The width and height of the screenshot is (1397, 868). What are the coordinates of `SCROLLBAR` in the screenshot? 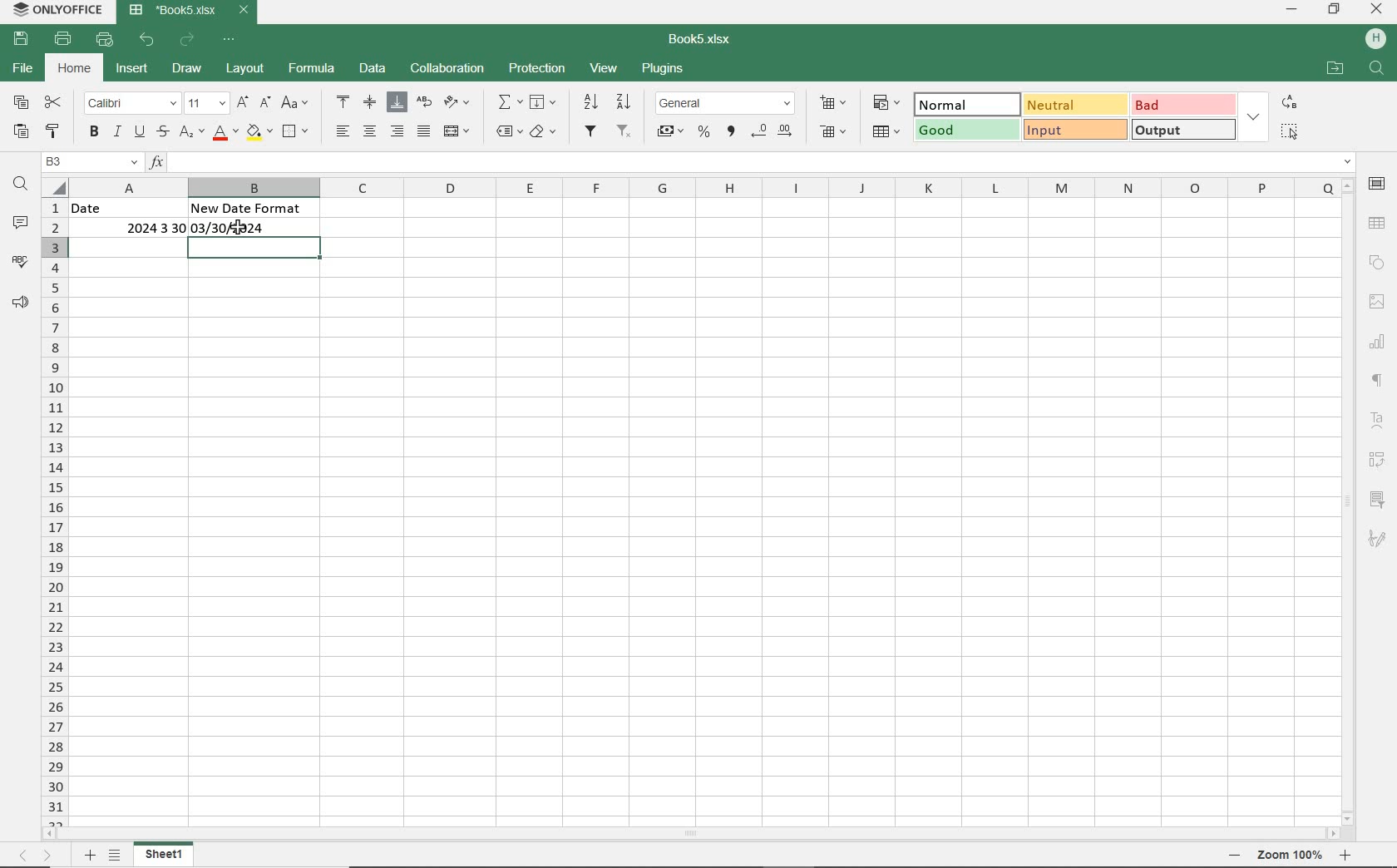 It's located at (1350, 499).